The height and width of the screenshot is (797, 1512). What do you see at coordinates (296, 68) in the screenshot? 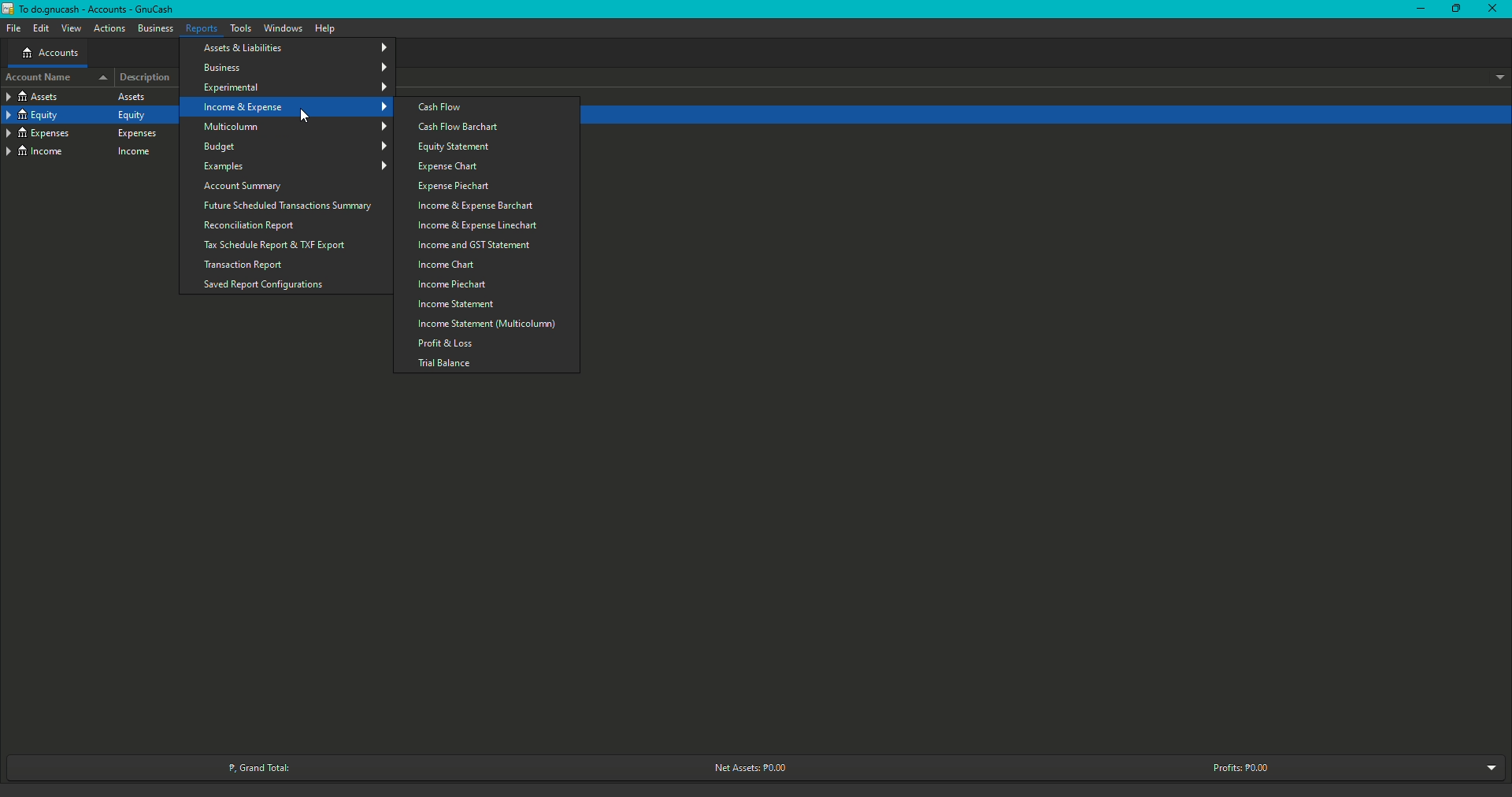
I see `Business` at bounding box center [296, 68].